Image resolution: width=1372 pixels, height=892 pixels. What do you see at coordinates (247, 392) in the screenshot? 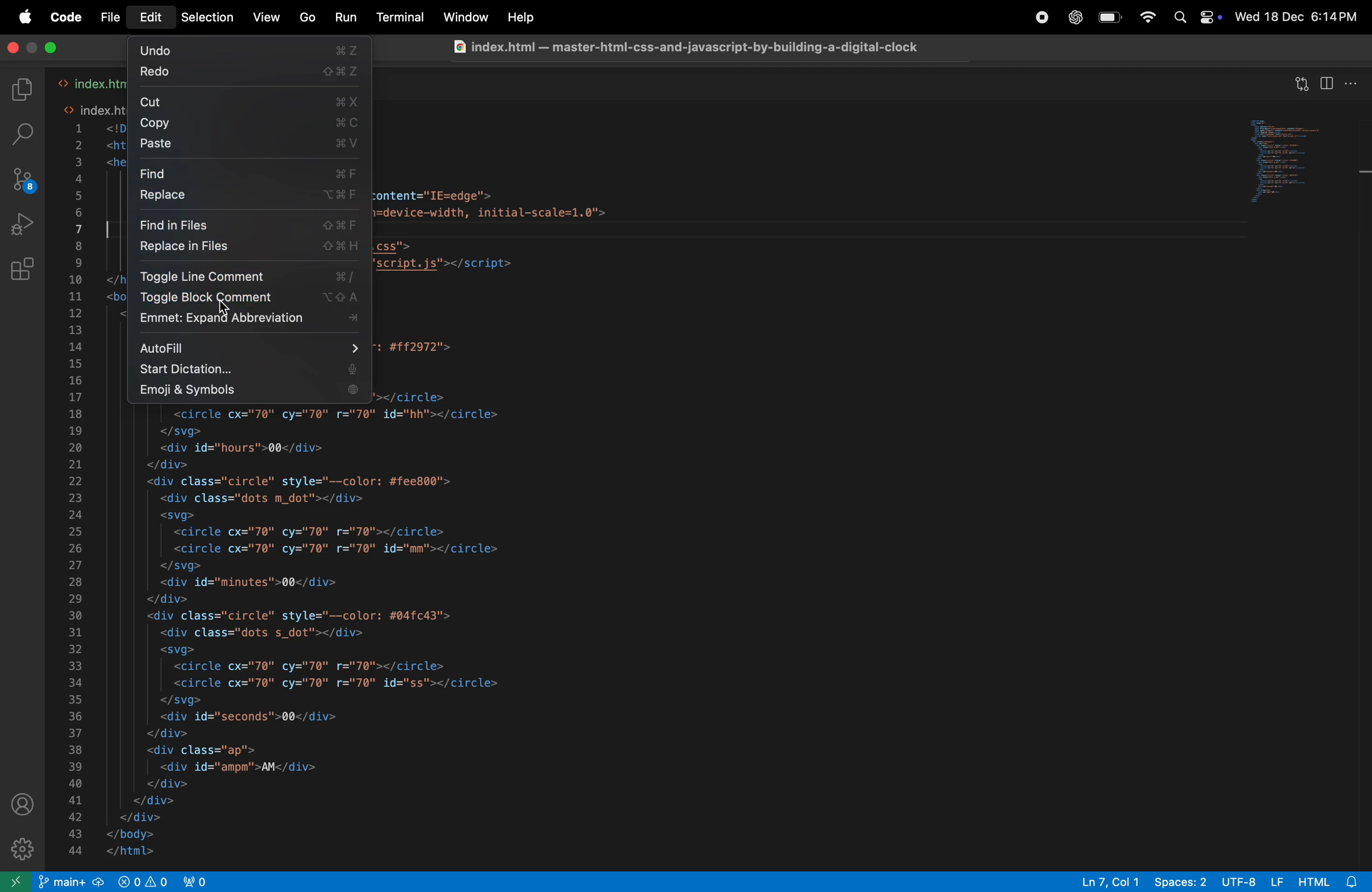
I see `emoji and symbols` at bounding box center [247, 392].